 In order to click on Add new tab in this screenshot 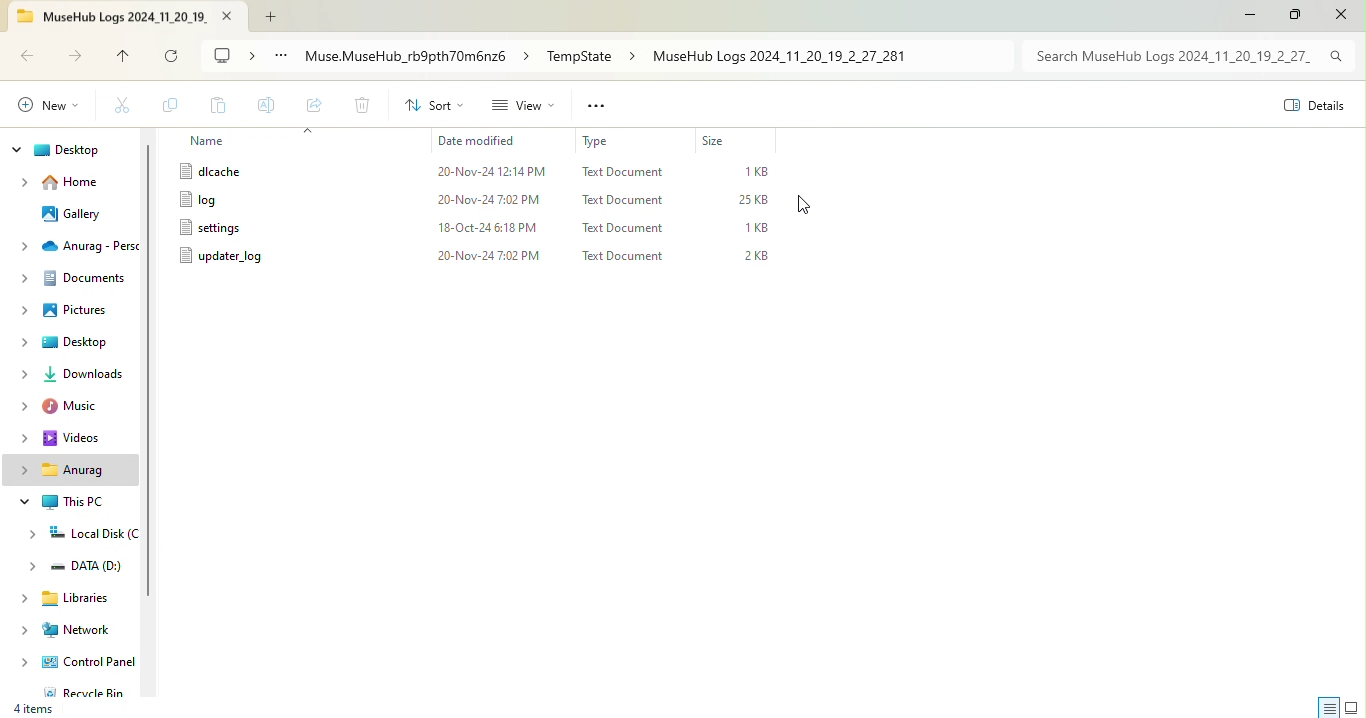, I will do `click(276, 20)`.